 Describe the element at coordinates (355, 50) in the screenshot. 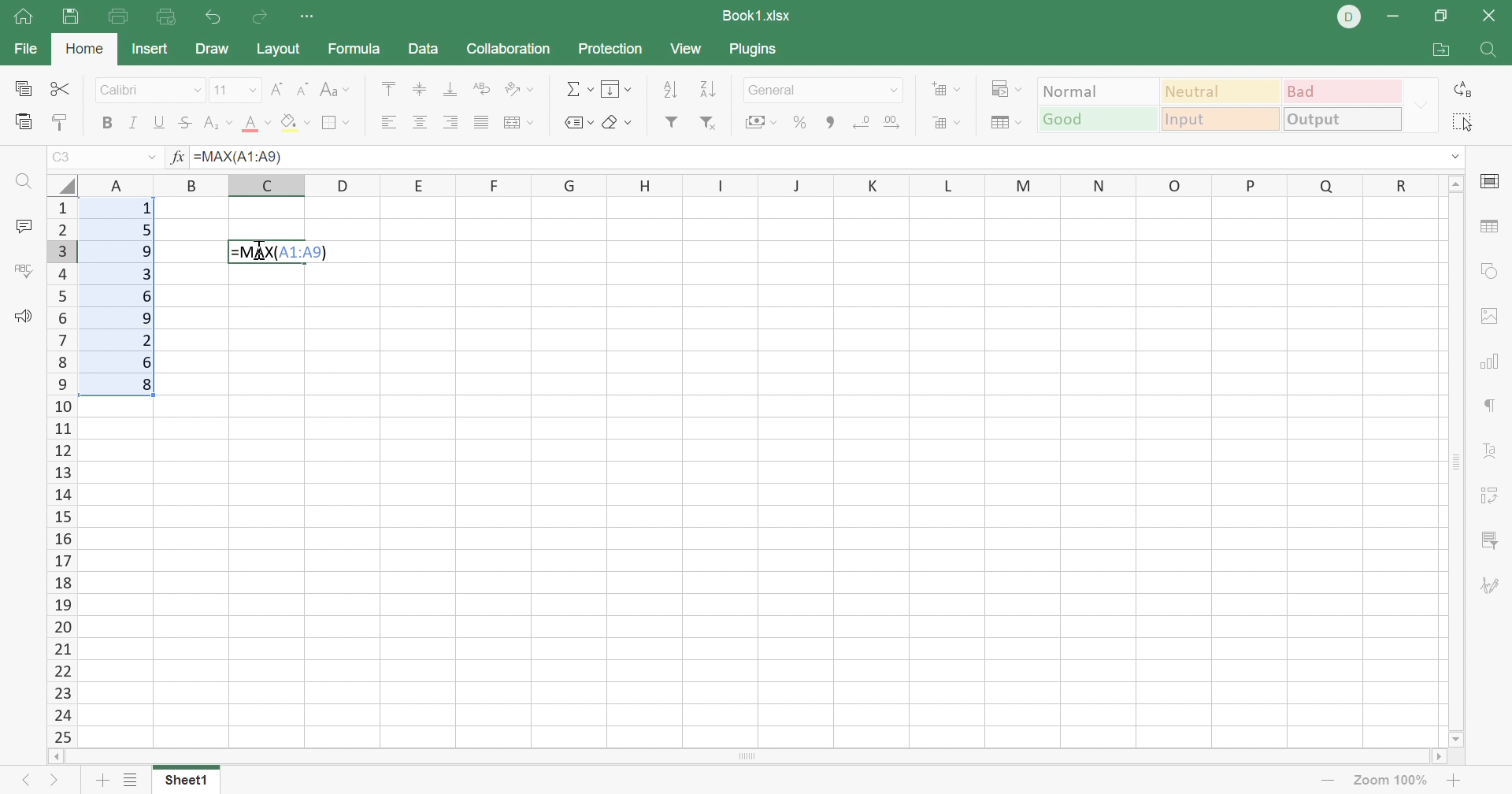

I see `Formula` at that location.